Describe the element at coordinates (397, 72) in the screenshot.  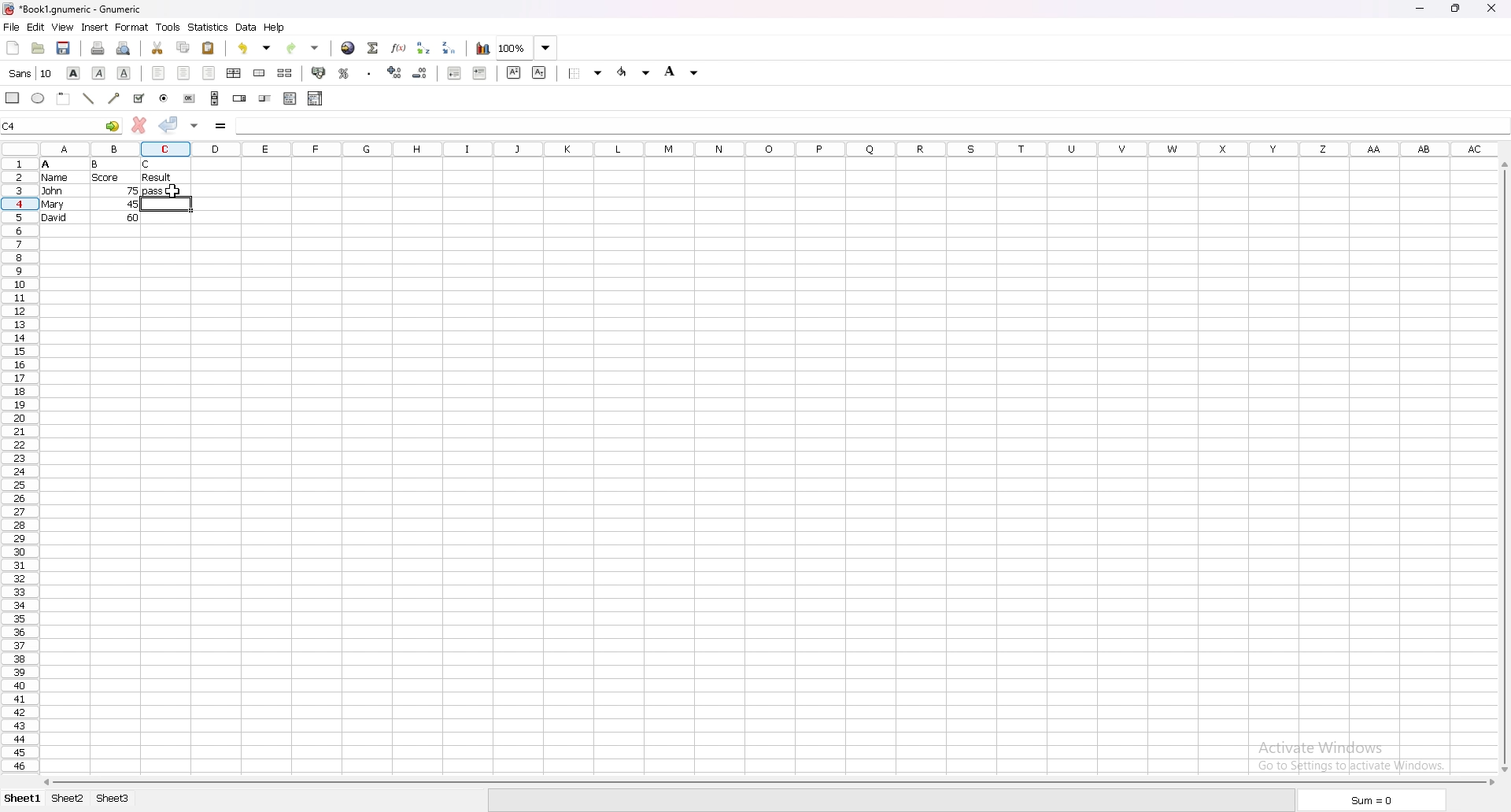
I see `increase decimals` at that location.